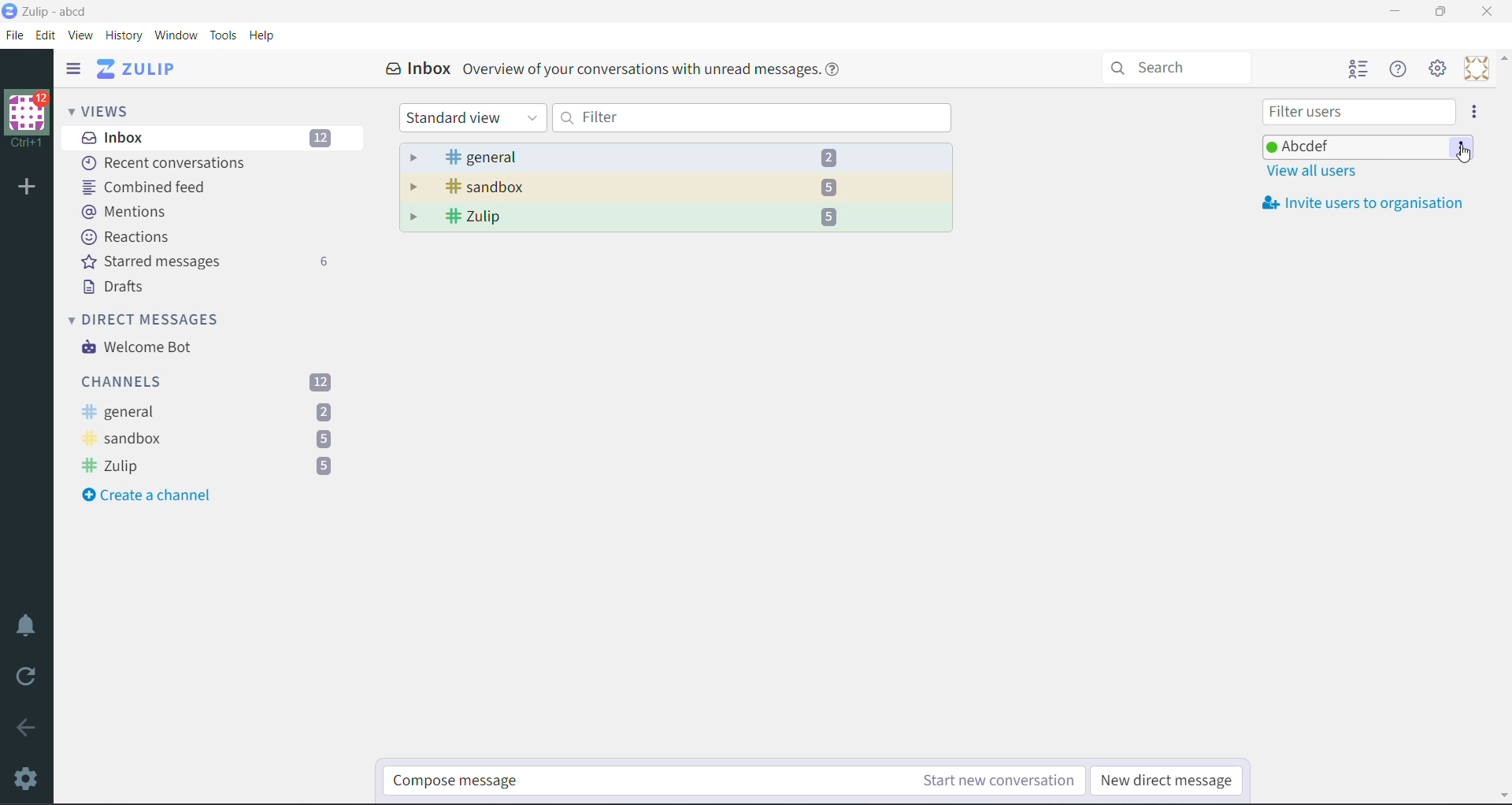  Describe the element at coordinates (1177, 67) in the screenshot. I see `Search` at that location.